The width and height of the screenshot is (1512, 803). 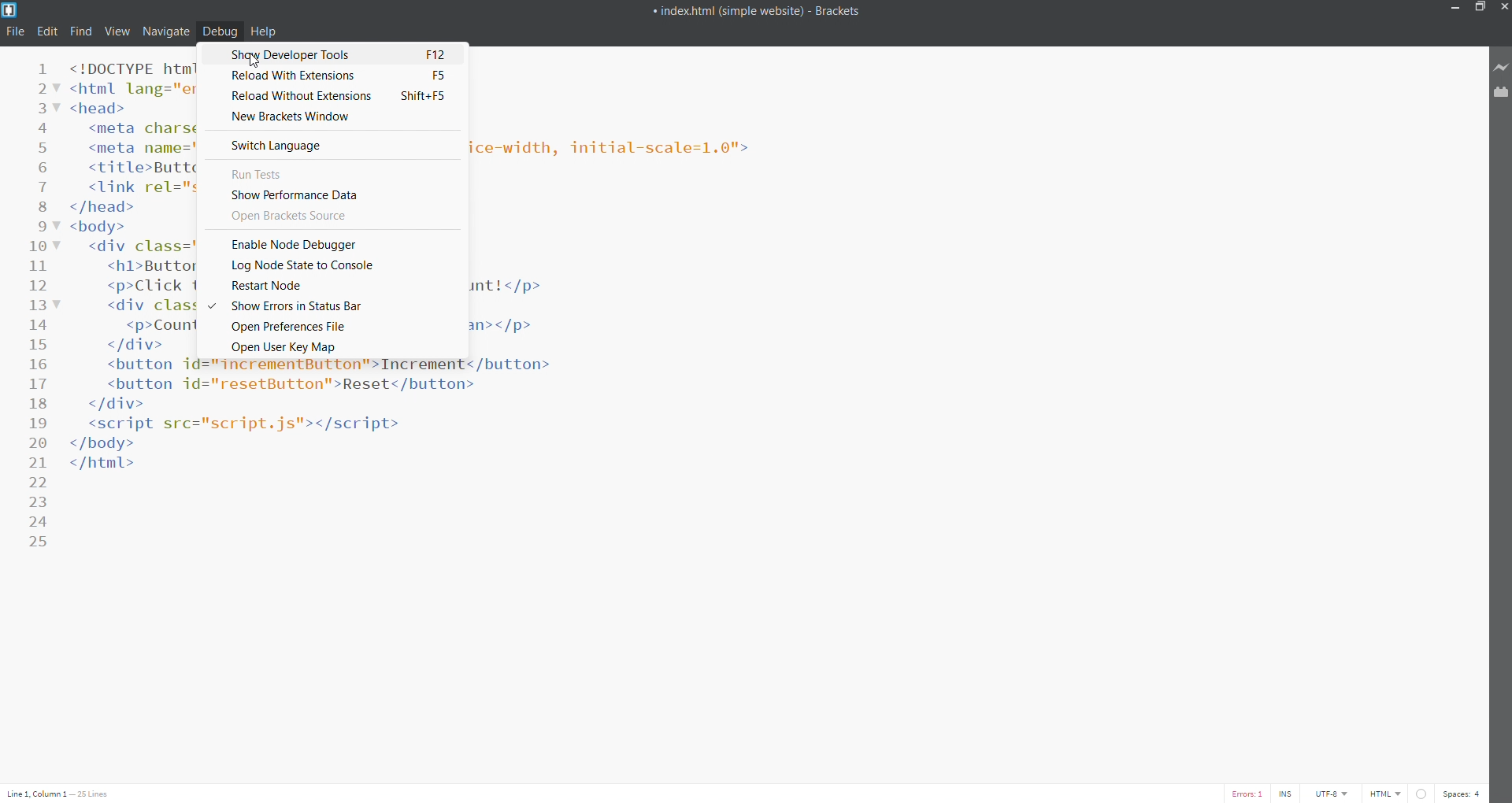 I want to click on live preview, so click(x=1499, y=68).